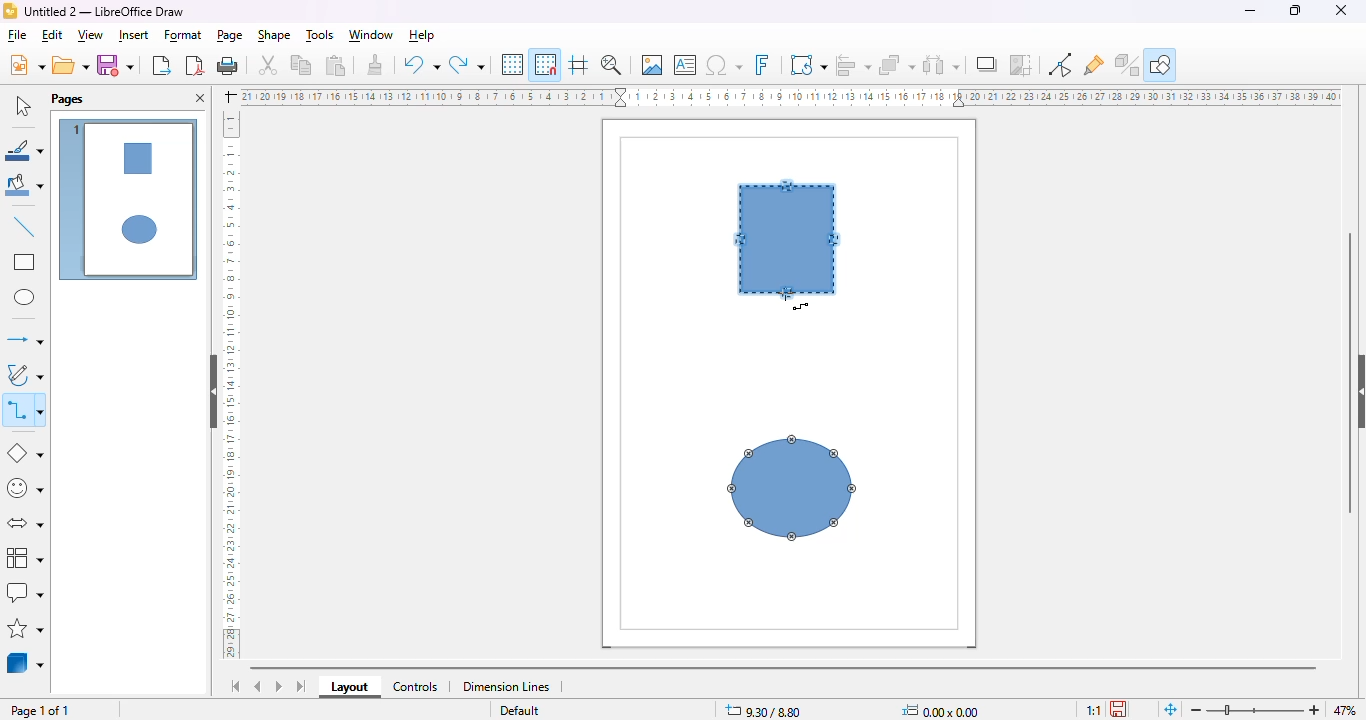 This screenshot has width=1366, height=720. Describe the element at coordinates (133, 35) in the screenshot. I see `insert` at that location.